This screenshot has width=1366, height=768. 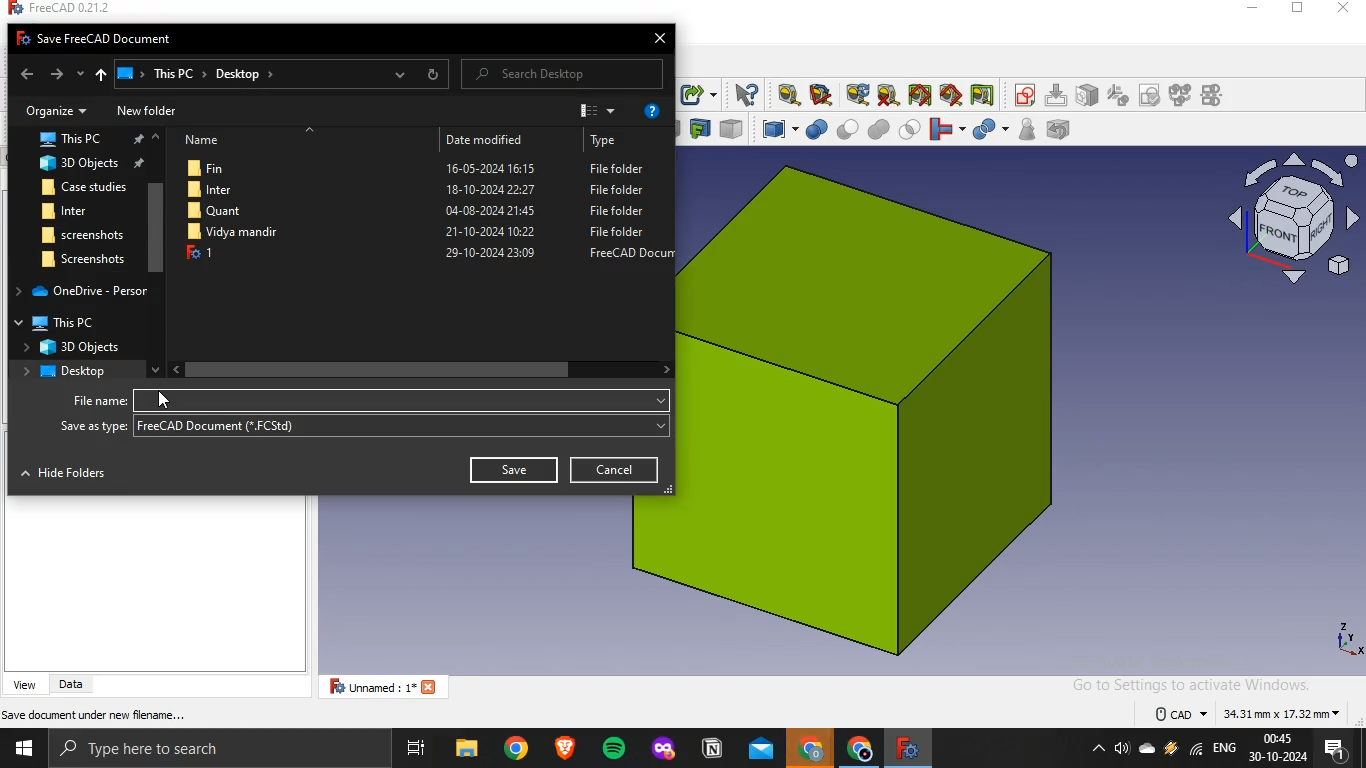 I want to click on color per face, so click(x=731, y=129).